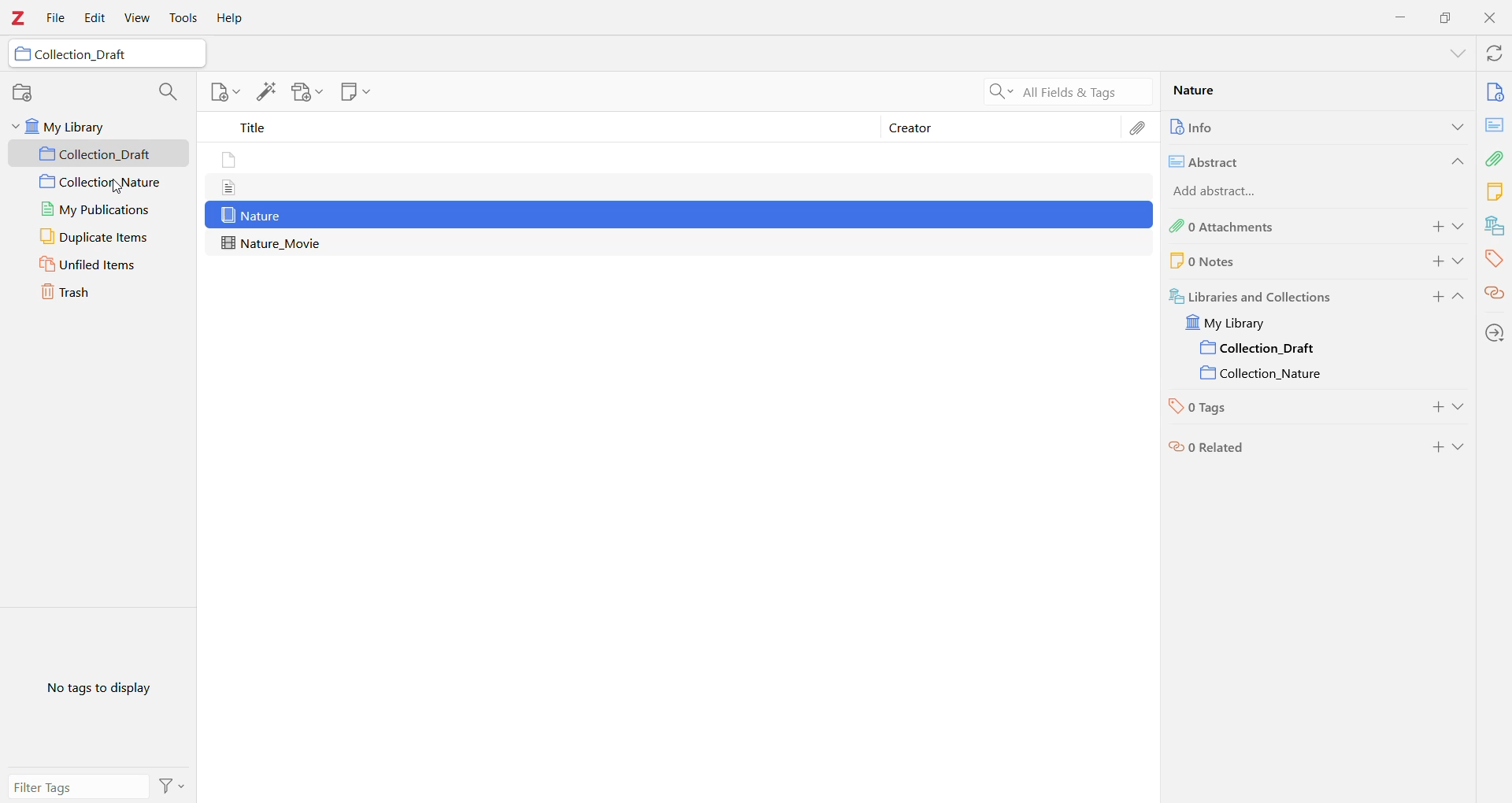 The width and height of the screenshot is (1512, 803). What do you see at coordinates (1239, 189) in the screenshot?
I see `Add abstract` at bounding box center [1239, 189].